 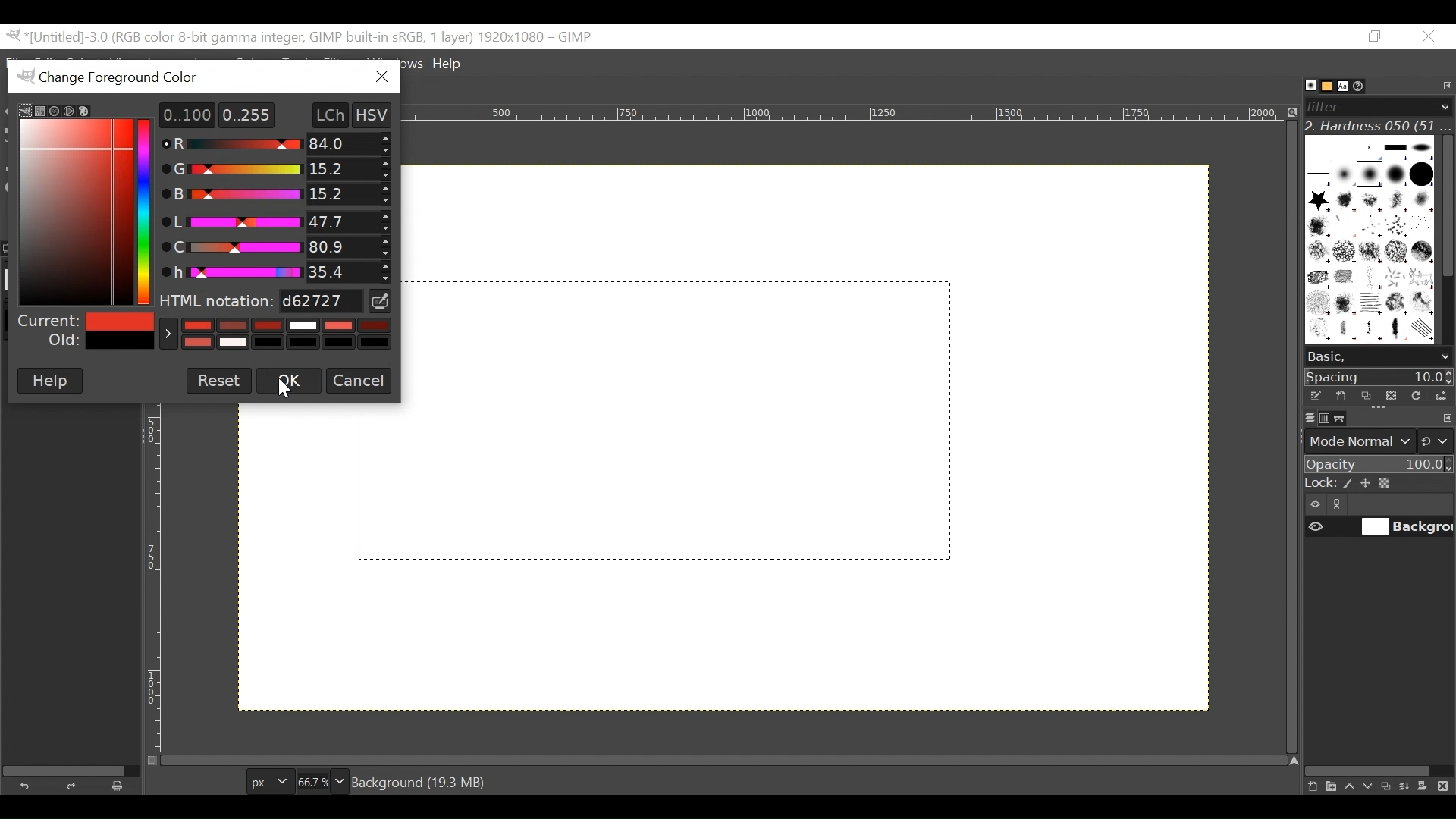 I want to click on Opacity, so click(x=1377, y=465).